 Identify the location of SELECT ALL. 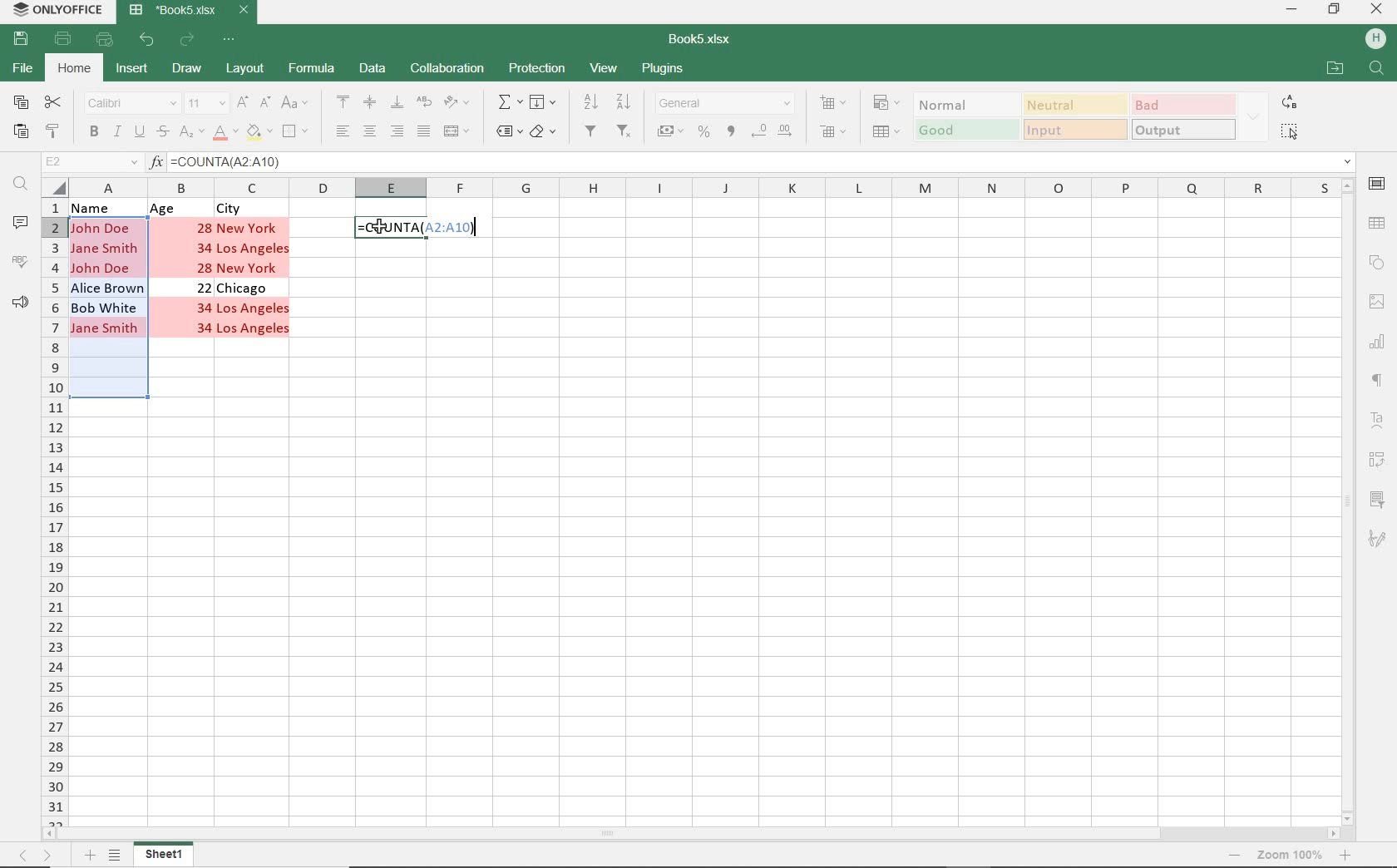
(1290, 133).